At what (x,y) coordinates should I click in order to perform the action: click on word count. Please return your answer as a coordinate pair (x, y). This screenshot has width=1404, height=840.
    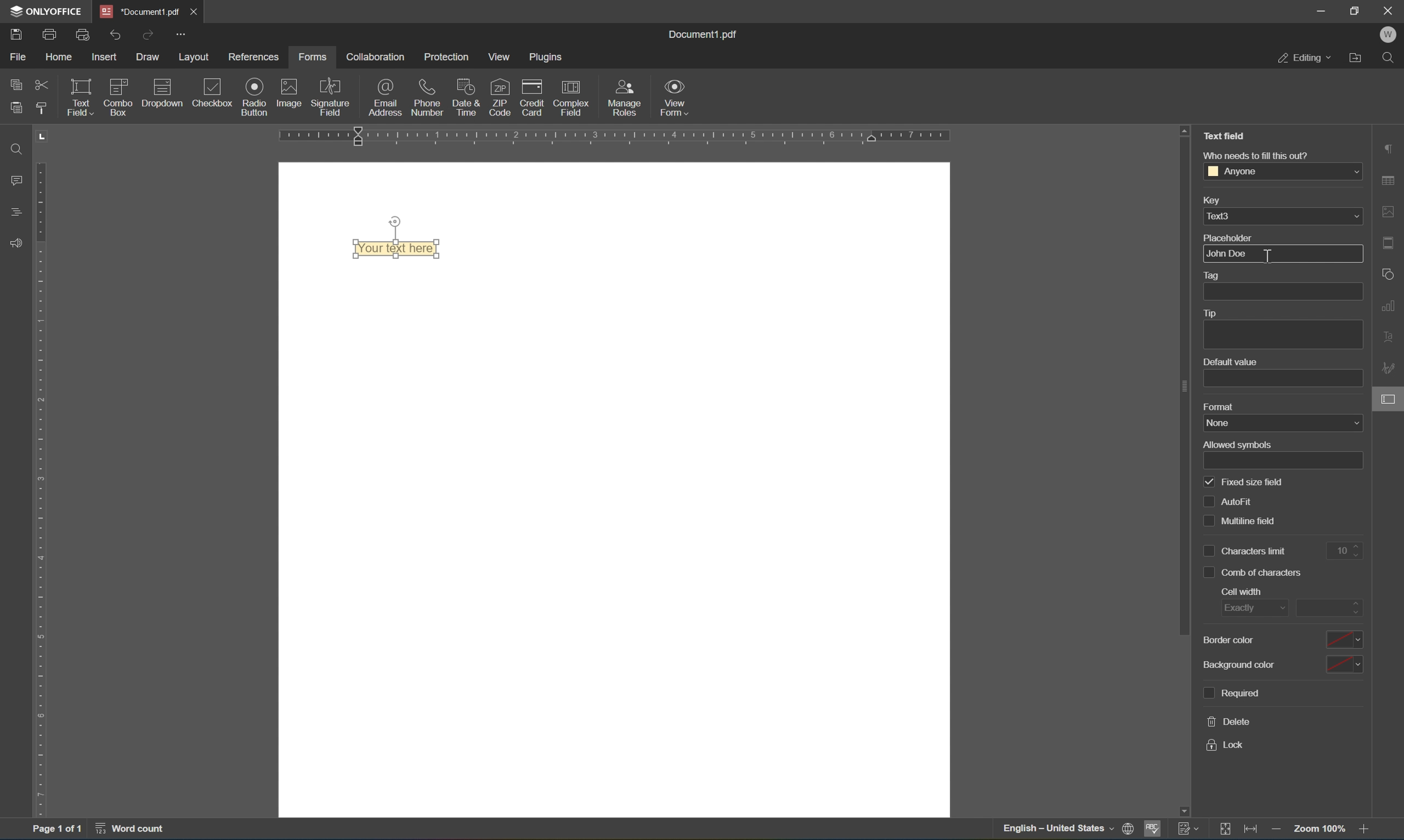
    Looking at the image, I should click on (134, 830).